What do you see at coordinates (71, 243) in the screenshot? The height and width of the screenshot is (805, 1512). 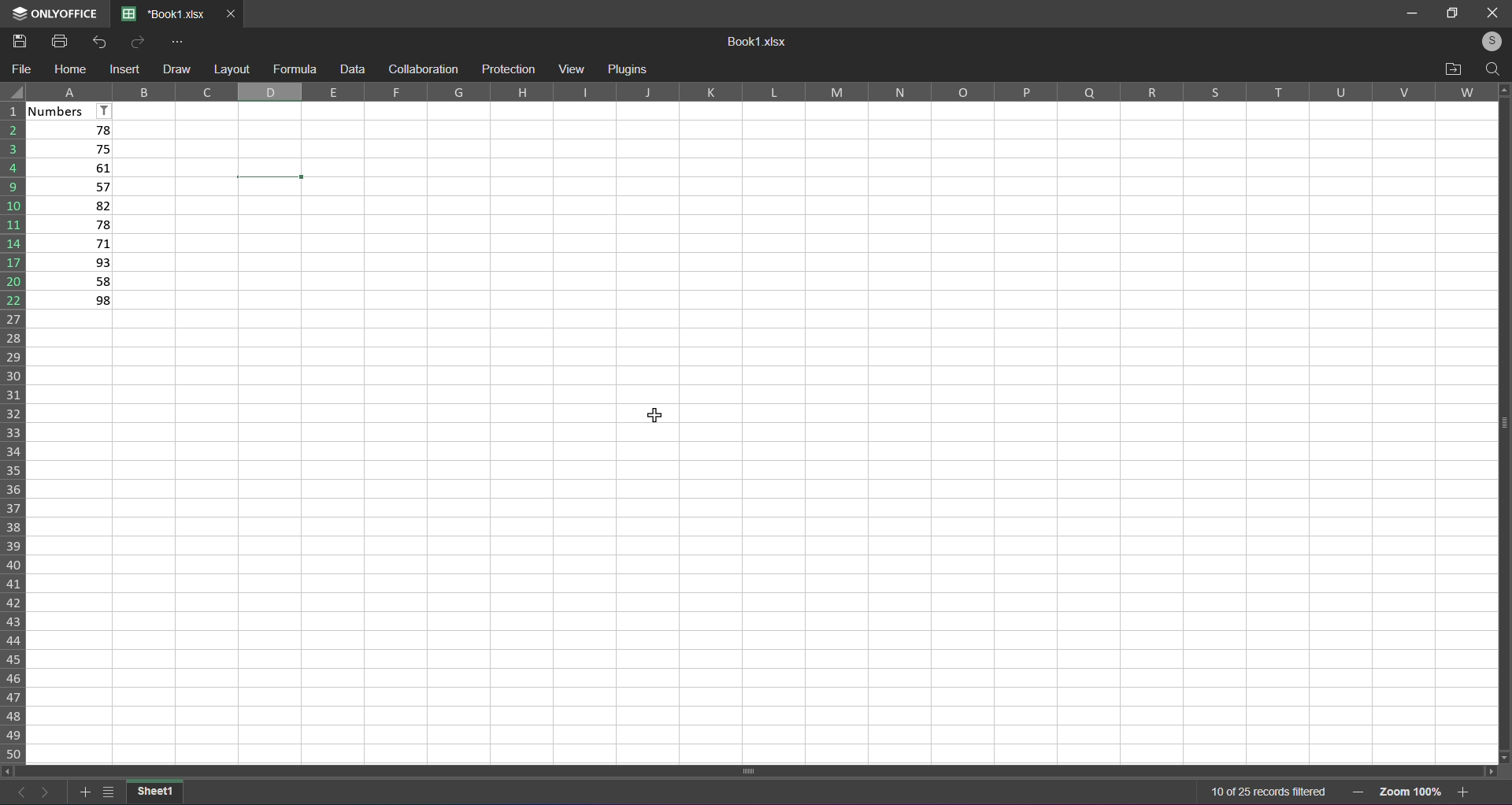 I see `71` at bounding box center [71, 243].